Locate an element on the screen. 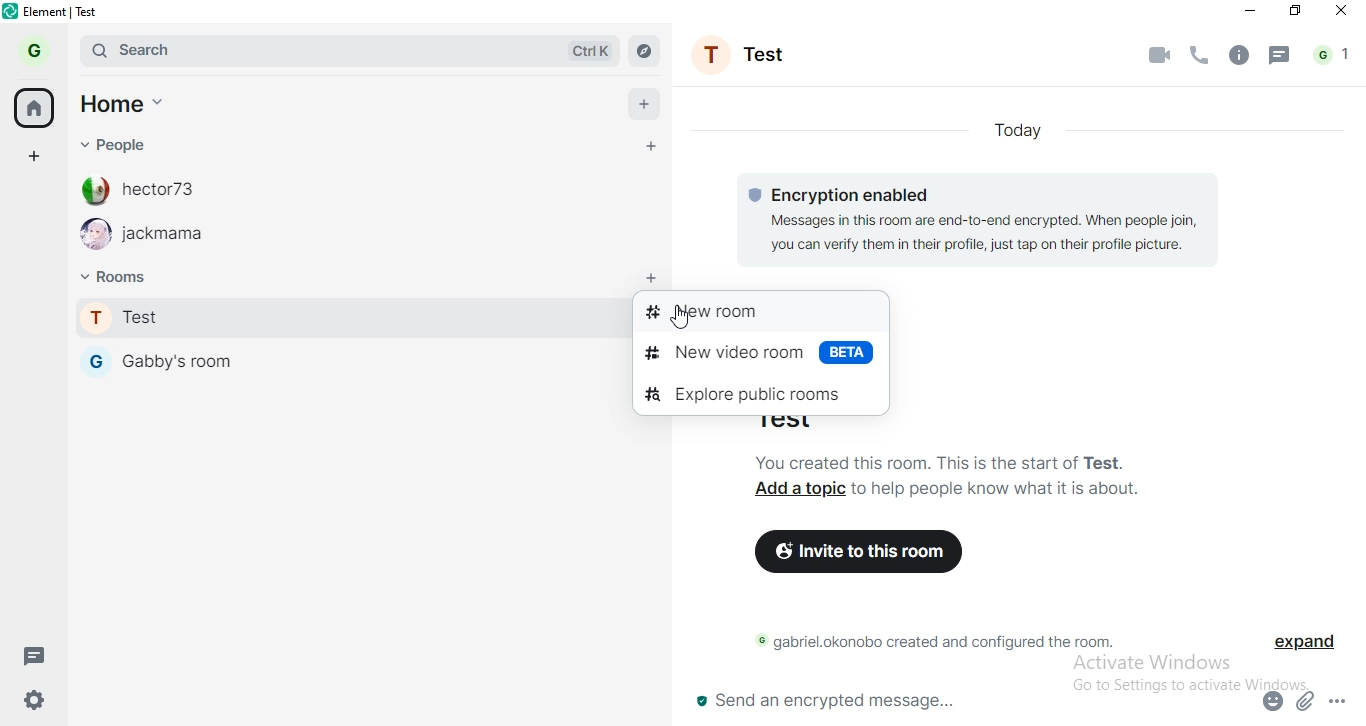 This screenshot has width=1366, height=726. restore is located at coordinates (1297, 11).